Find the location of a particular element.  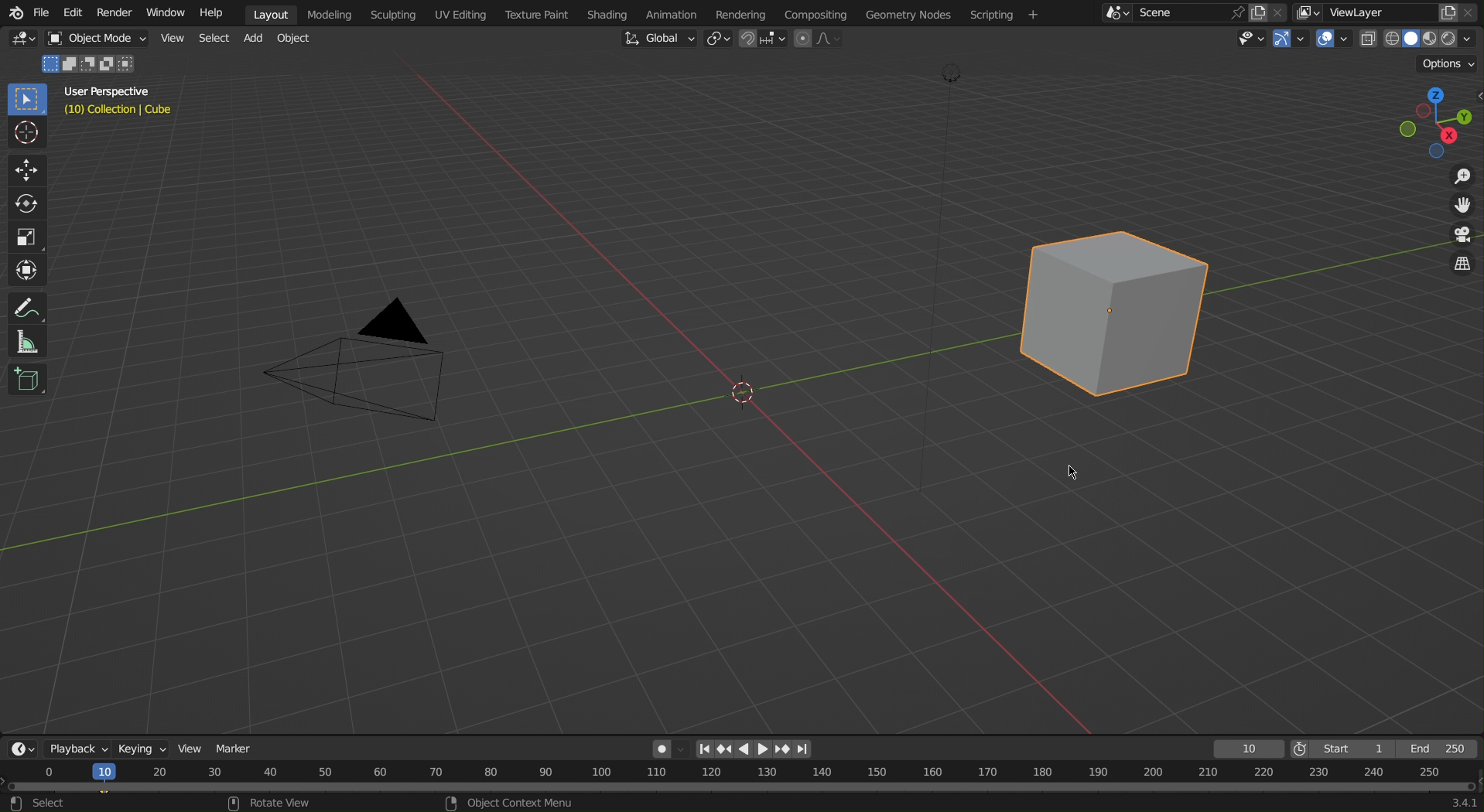

More Scene is located at coordinates (1115, 12).